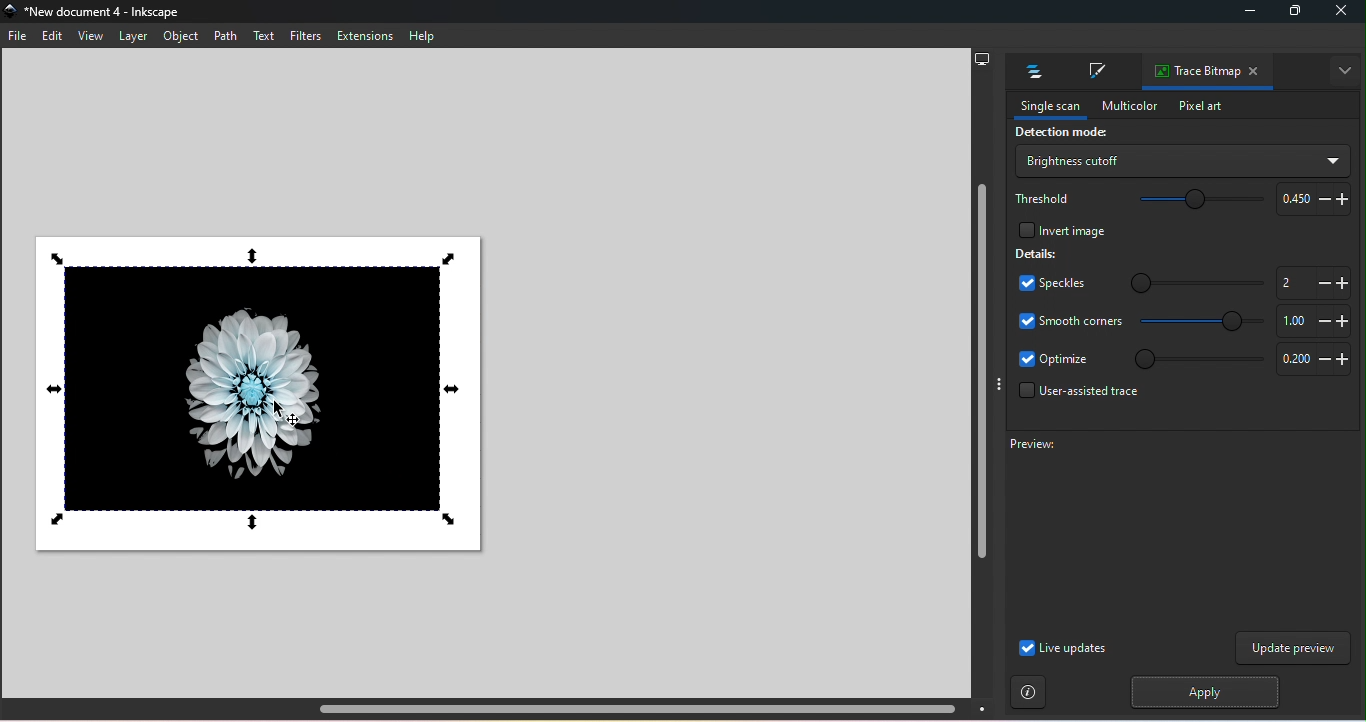 The width and height of the screenshot is (1366, 722). Describe the element at coordinates (1191, 72) in the screenshot. I see `Trace bitmap` at that location.